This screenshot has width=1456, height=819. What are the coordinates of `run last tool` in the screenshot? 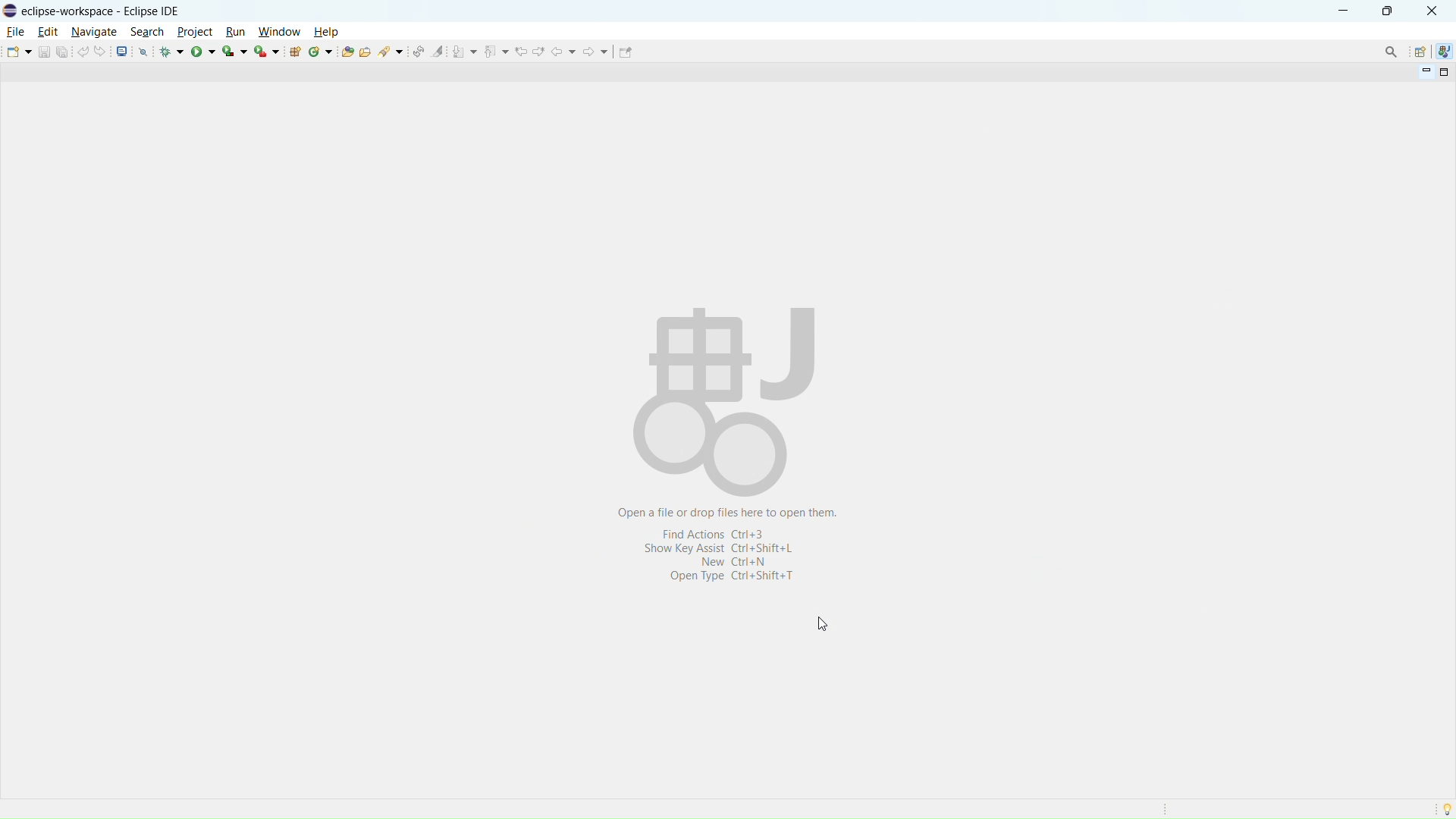 It's located at (266, 50).